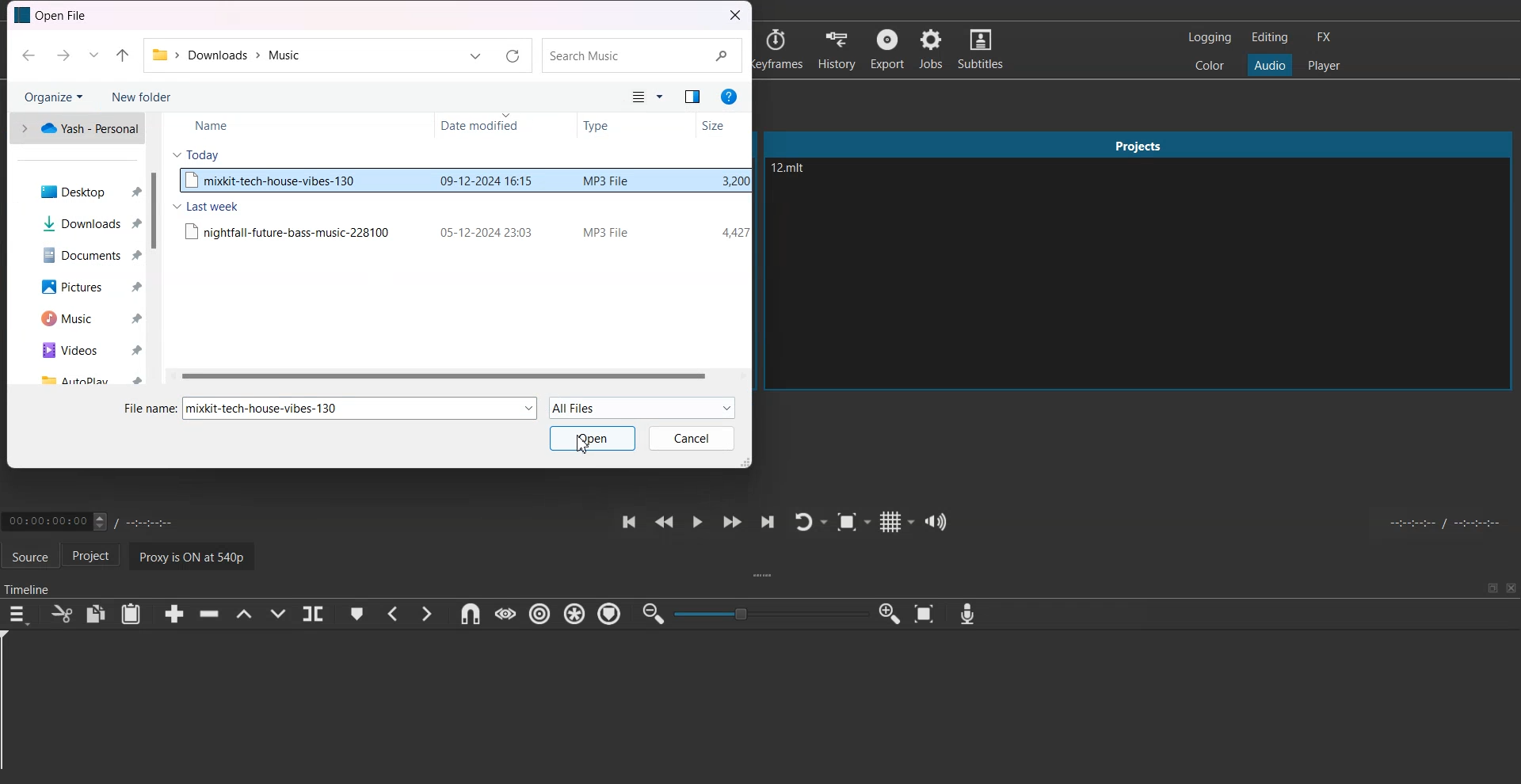 This screenshot has width=1521, height=784. What do you see at coordinates (155, 249) in the screenshot?
I see `Vertical Scroll bar` at bounding box center [155, 249].